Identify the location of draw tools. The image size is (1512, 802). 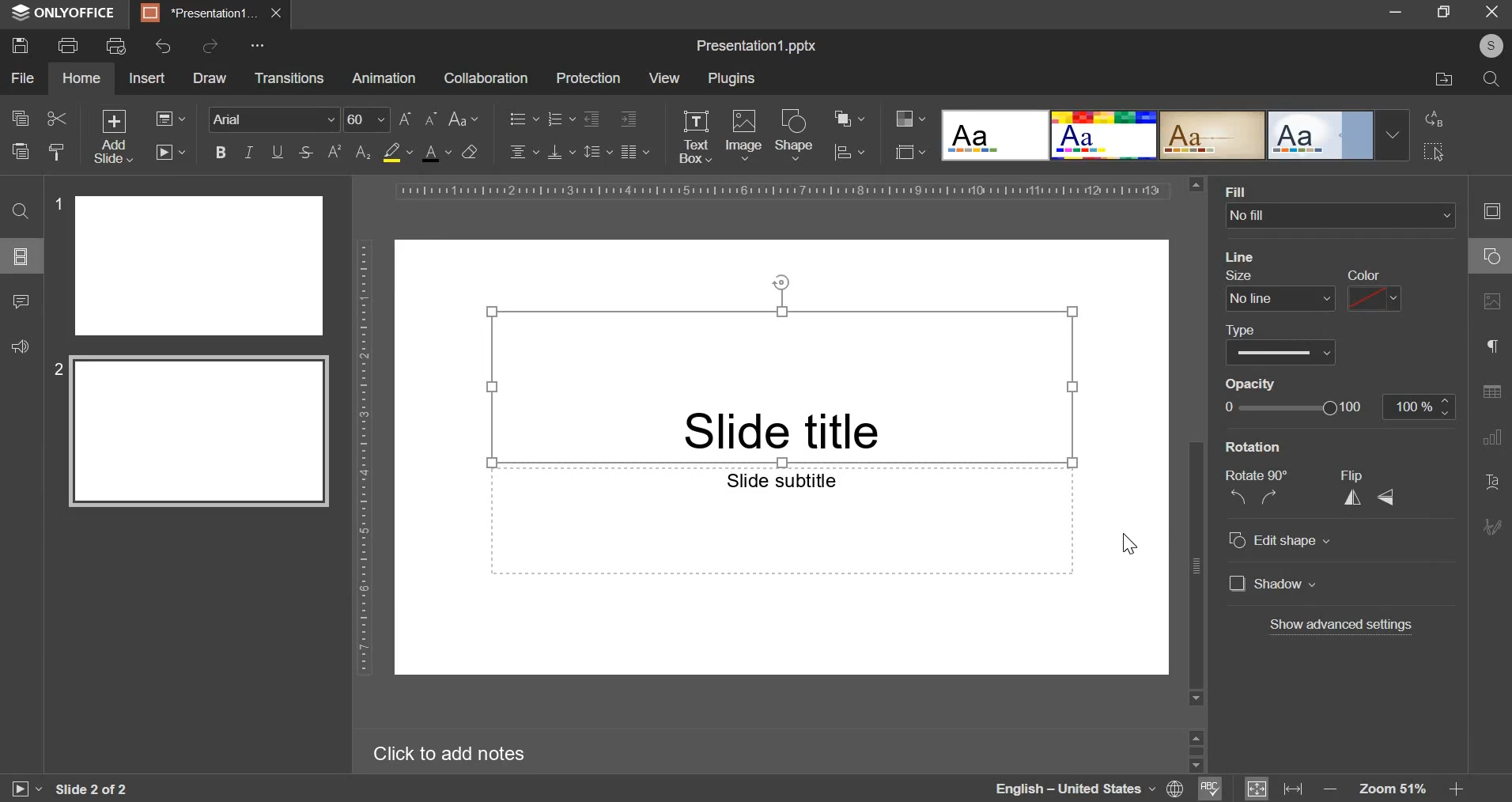
(1497, 522).